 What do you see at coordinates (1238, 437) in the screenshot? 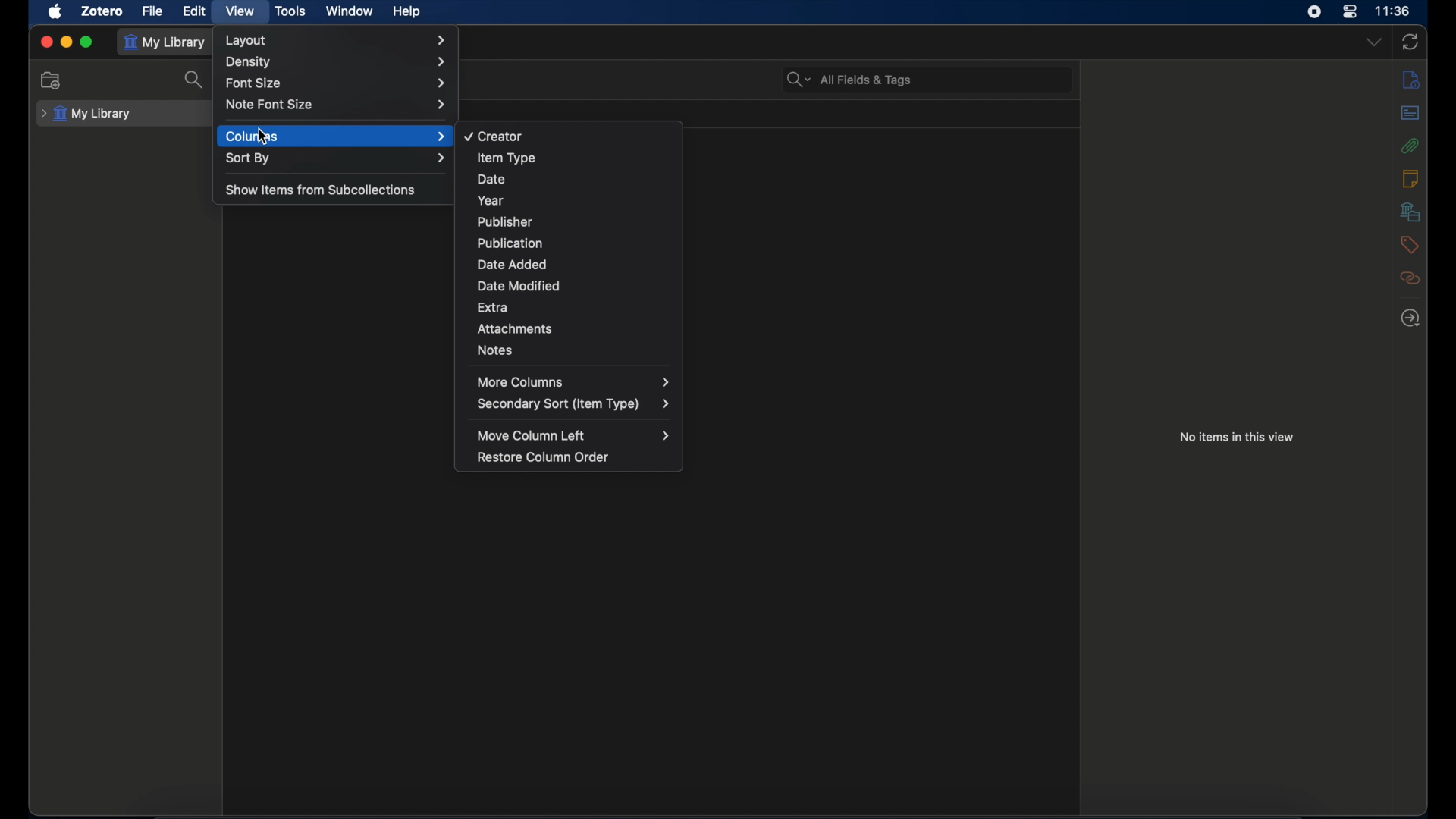
I see `no items in this view` at bounding box center [1238, 437].